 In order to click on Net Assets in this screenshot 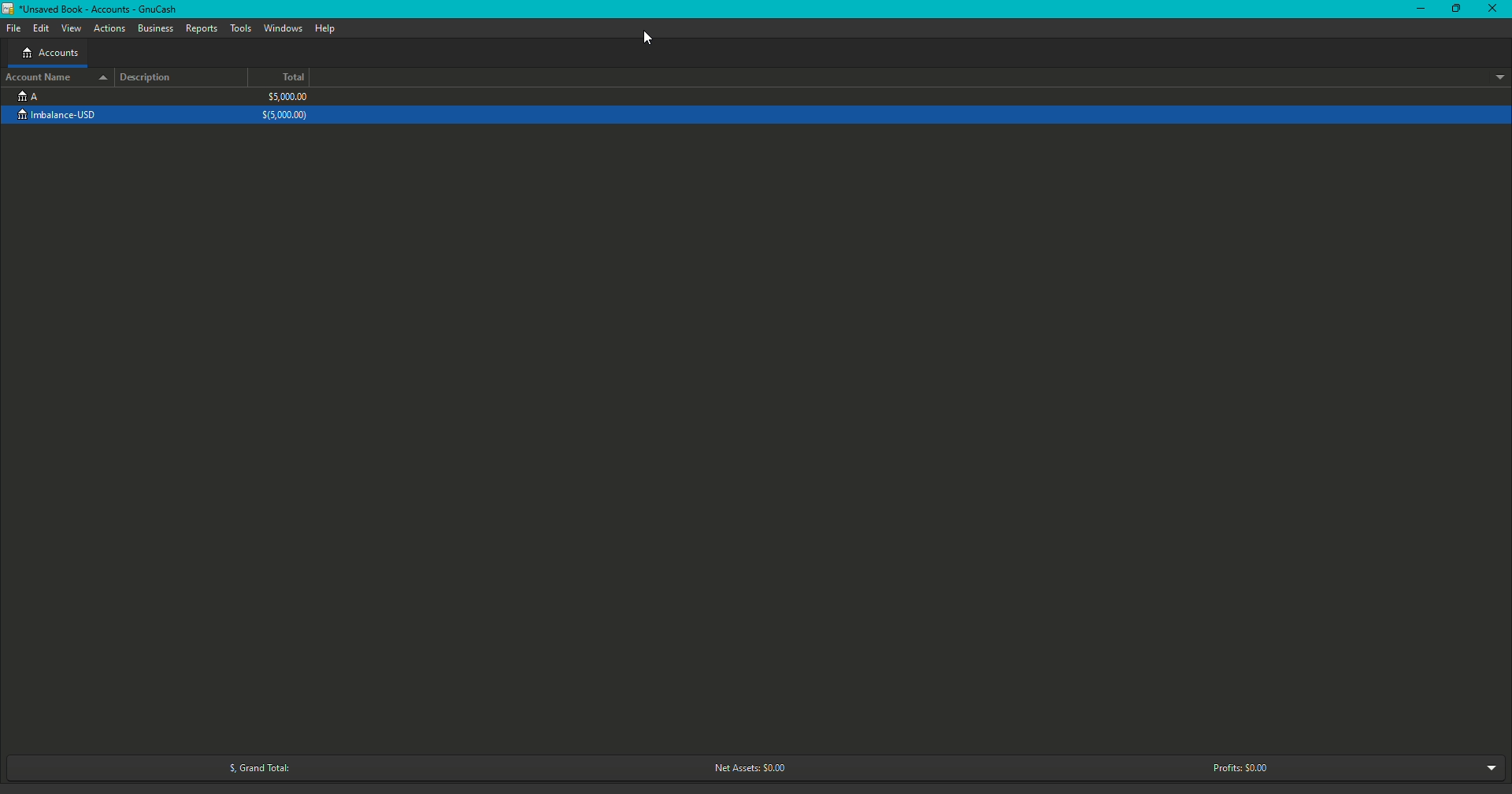, I will do `click(746, 769)`.